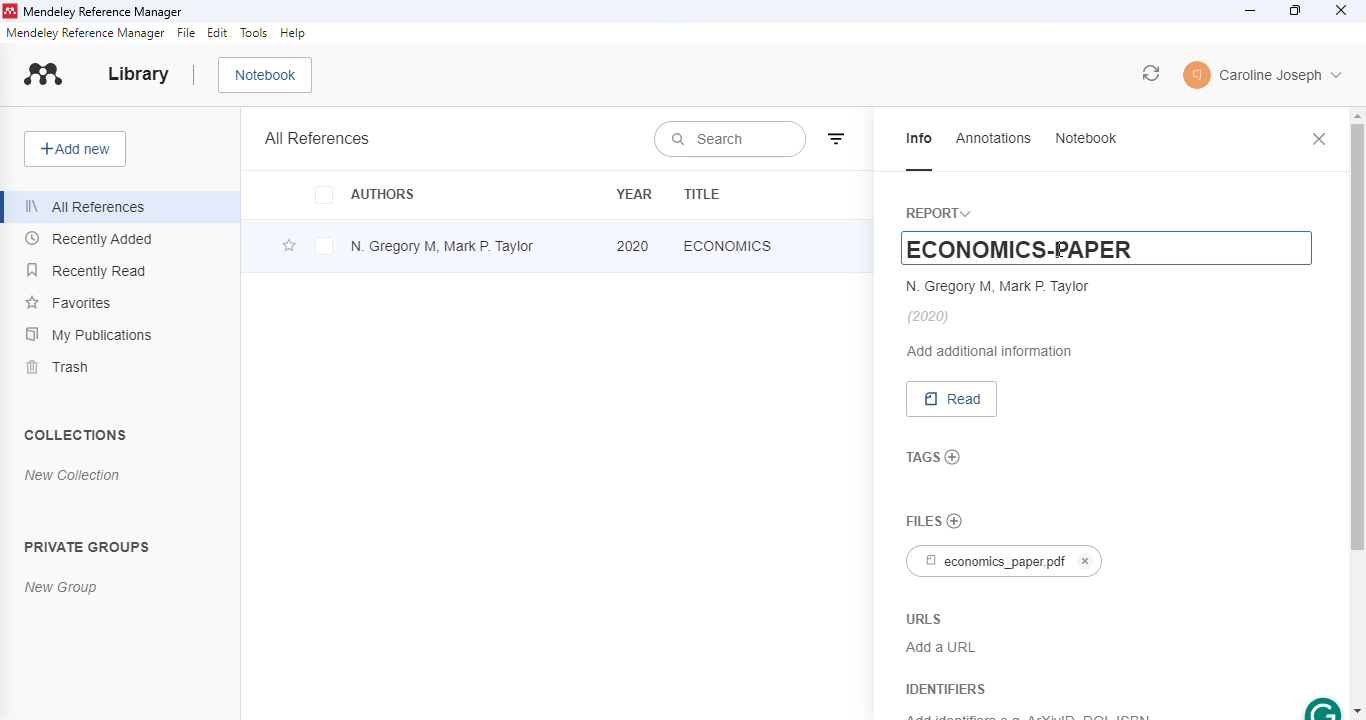 The height and width of the screenshot is (720, 1366). What do you see at coordinates (942, 212) in the screenshot?
I see `report` at bounding box center [942, 212].